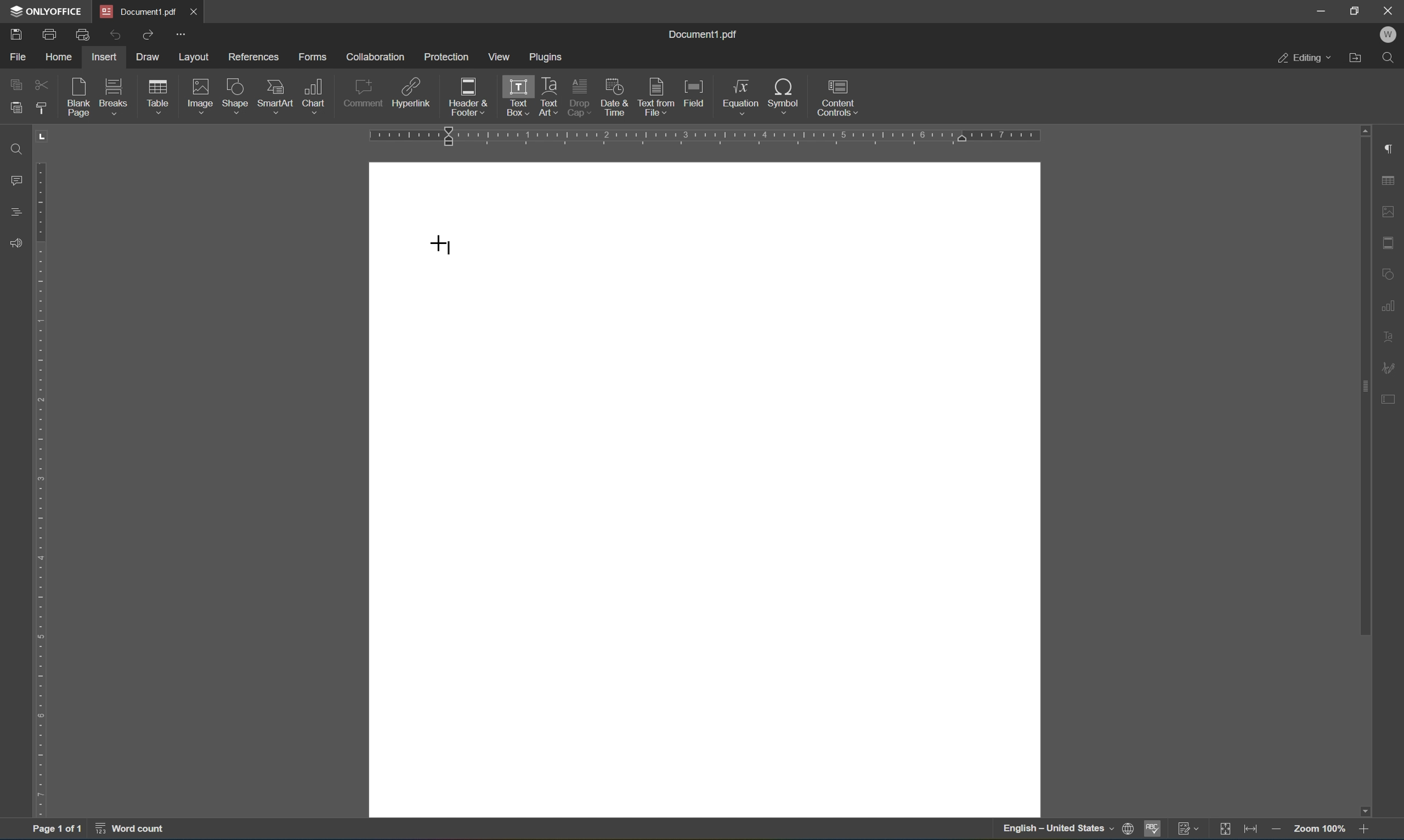 Image resolution: width=1404 pixels, height=840 pixels. I want to click on Comments, so click(19, 181).